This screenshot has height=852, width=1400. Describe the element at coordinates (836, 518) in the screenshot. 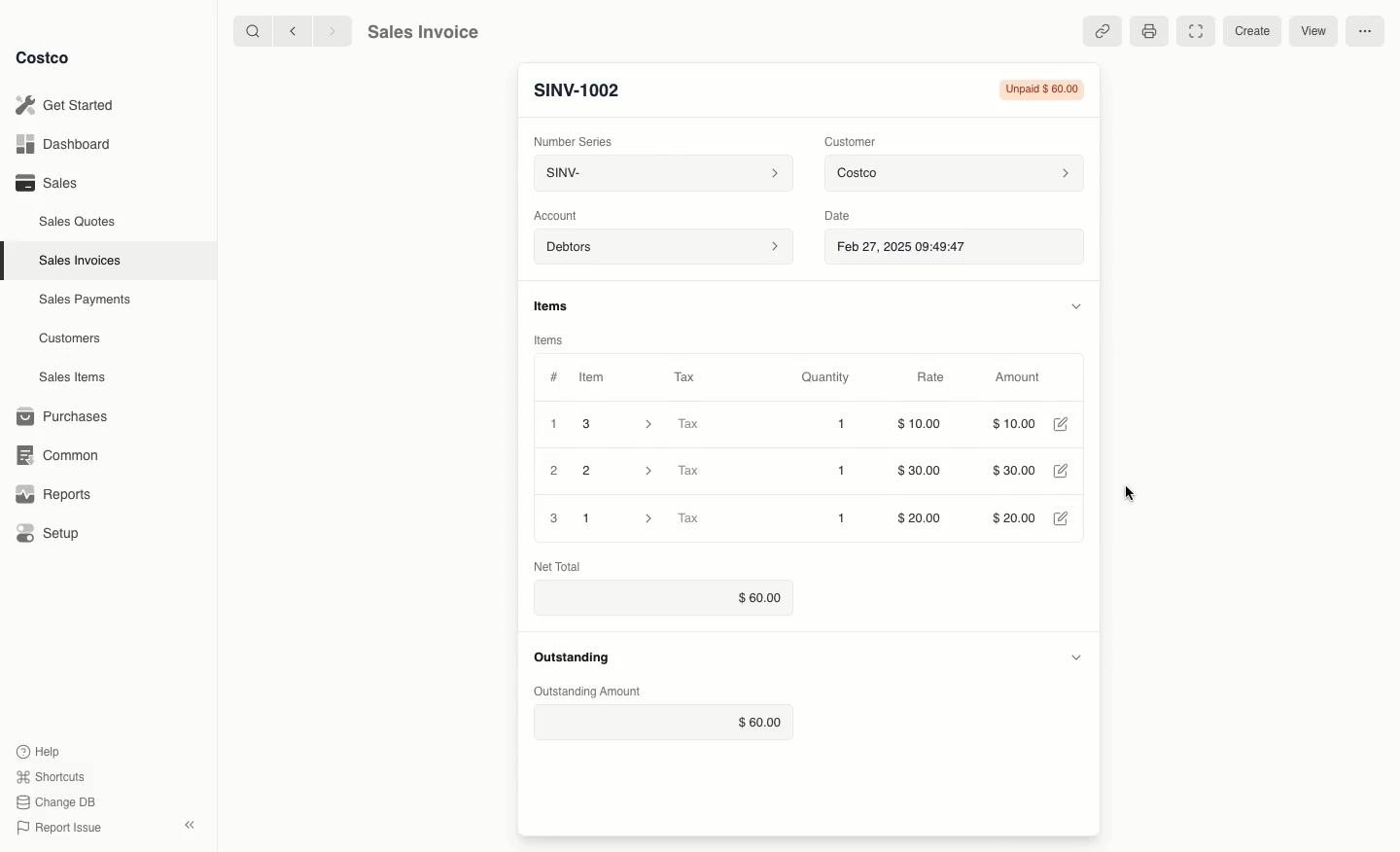

I see `1` at that location.